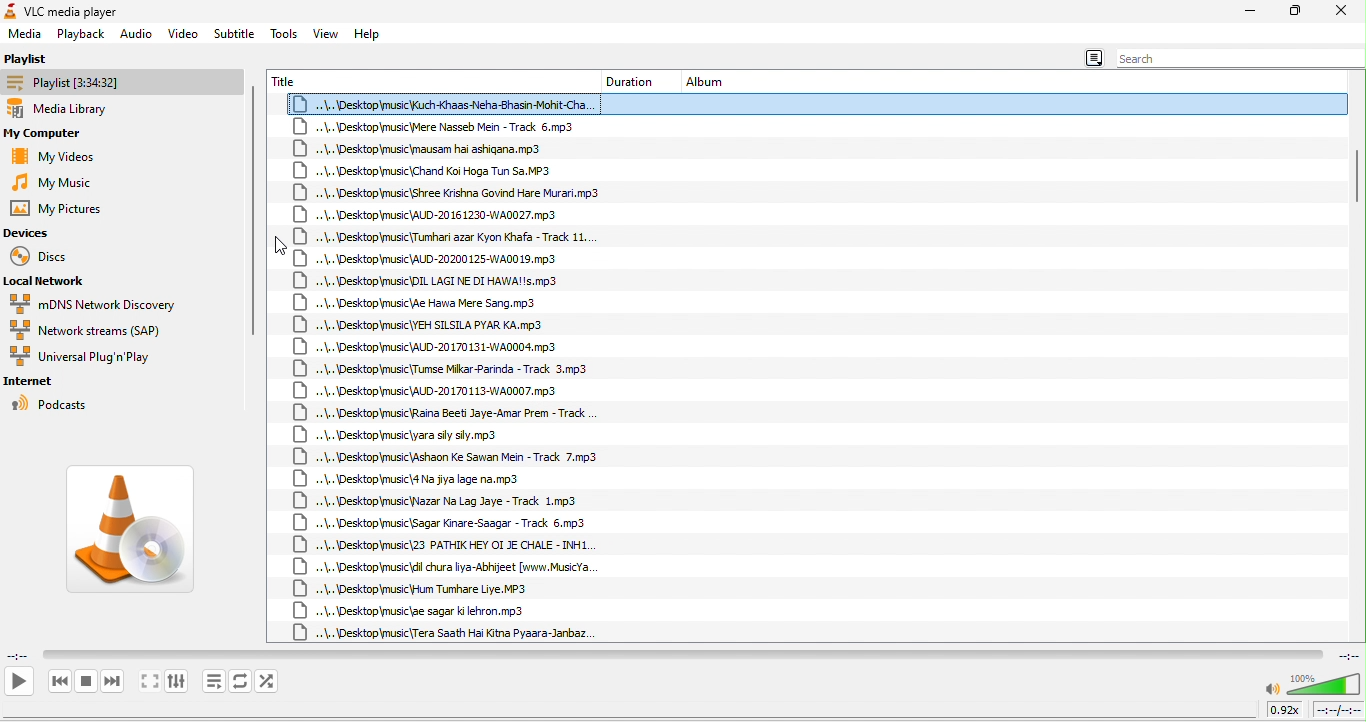 The height and width of the screenshot is (722, 1366). I want to click on ..\..\Desktop\music Kuch -Khaas-Neha-Bhasin-Mohit-Cha., so click(821, 106).